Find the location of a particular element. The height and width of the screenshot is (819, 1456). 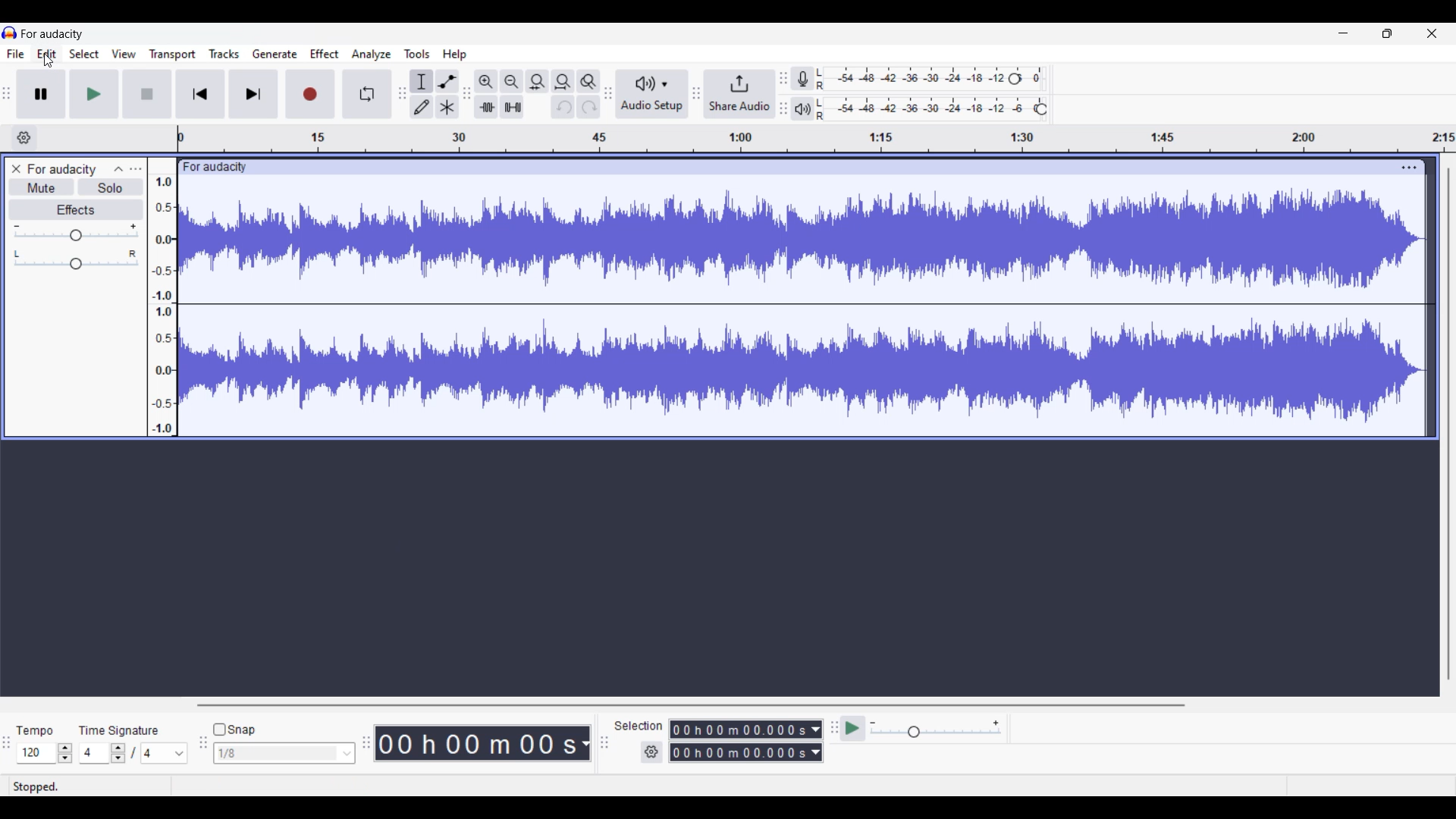

Edit menu is located at coordinates (46, 53).